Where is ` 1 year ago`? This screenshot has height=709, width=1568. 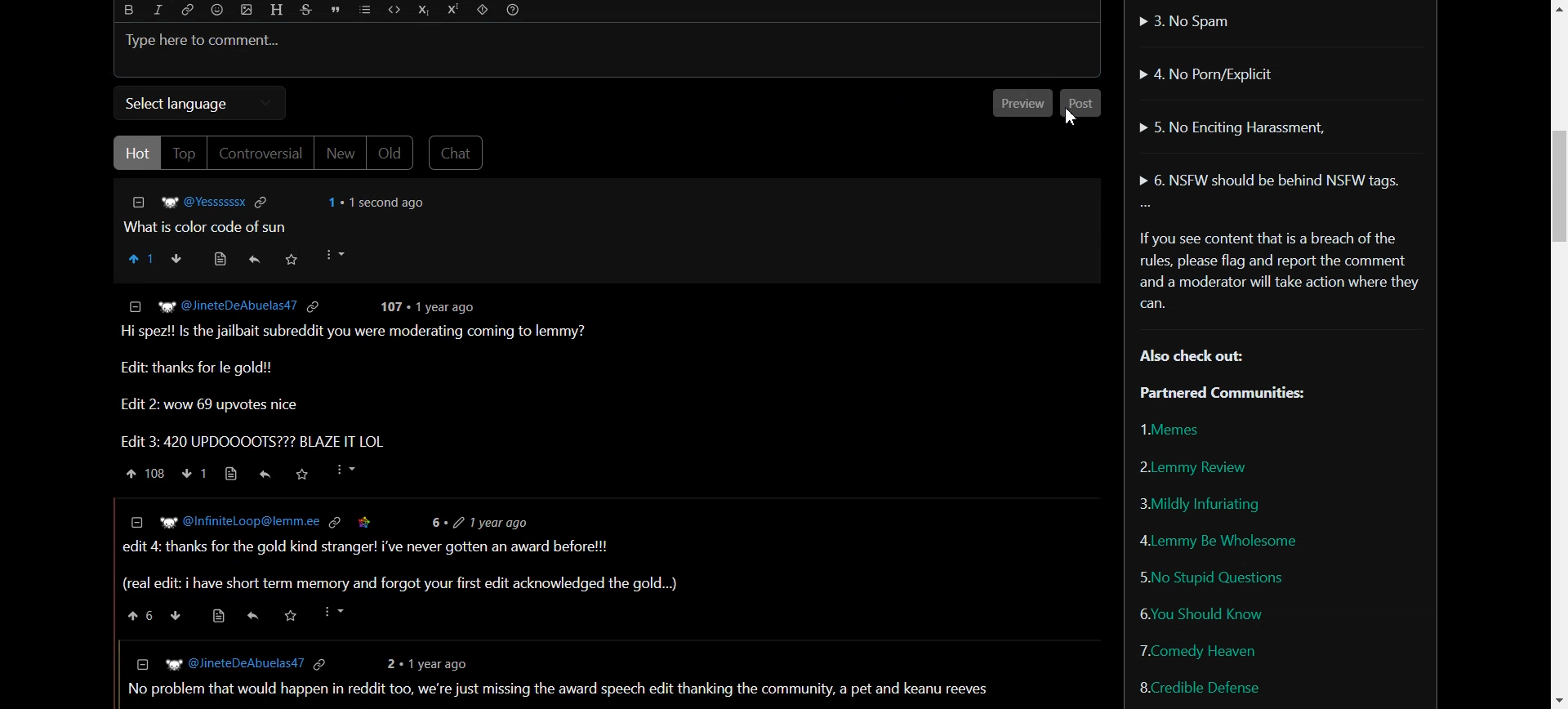  1 year ago is located at coordinates (431, 664).